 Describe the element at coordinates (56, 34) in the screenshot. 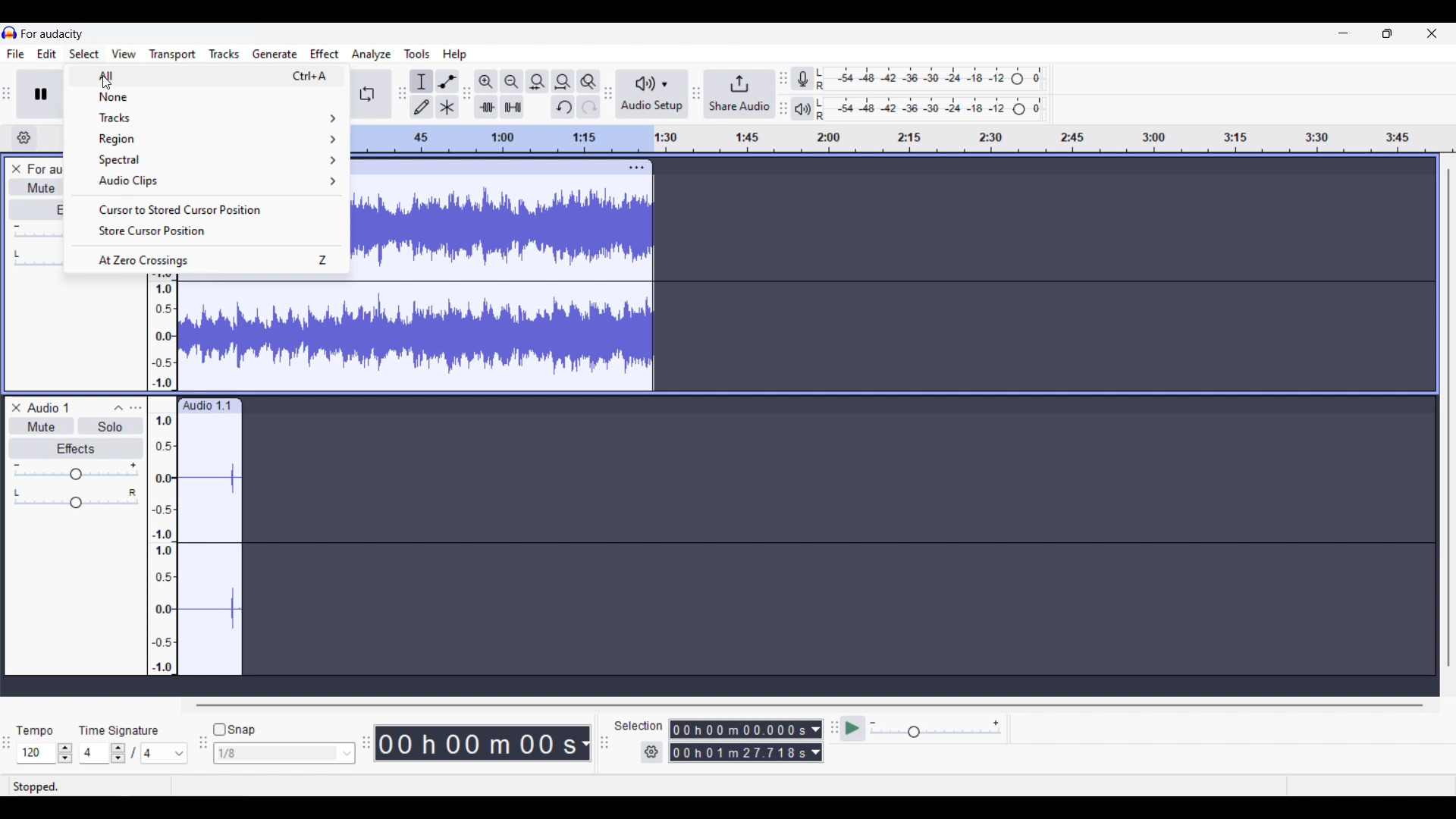

I see `for audacity` at that location.